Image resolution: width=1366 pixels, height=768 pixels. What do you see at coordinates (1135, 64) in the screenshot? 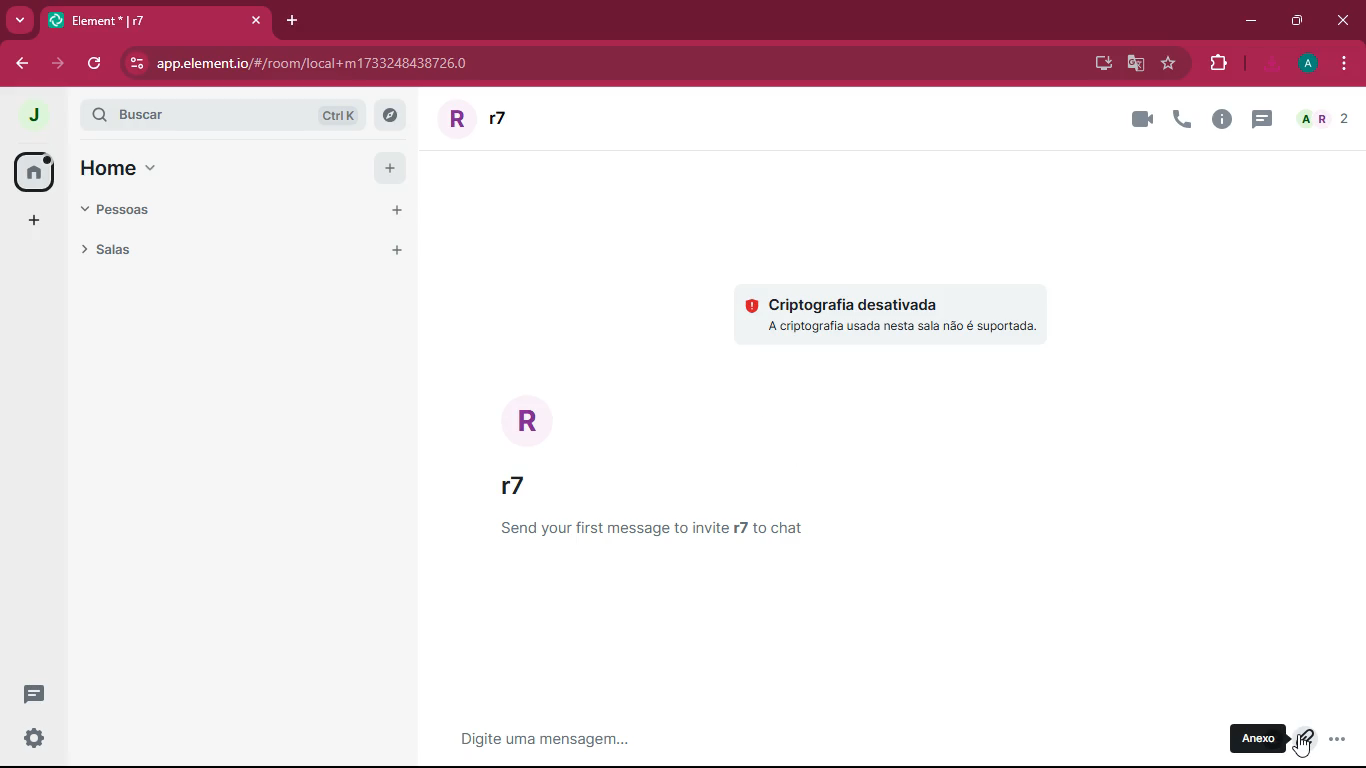
I see `google translate` at bounding box center [1135, 64].